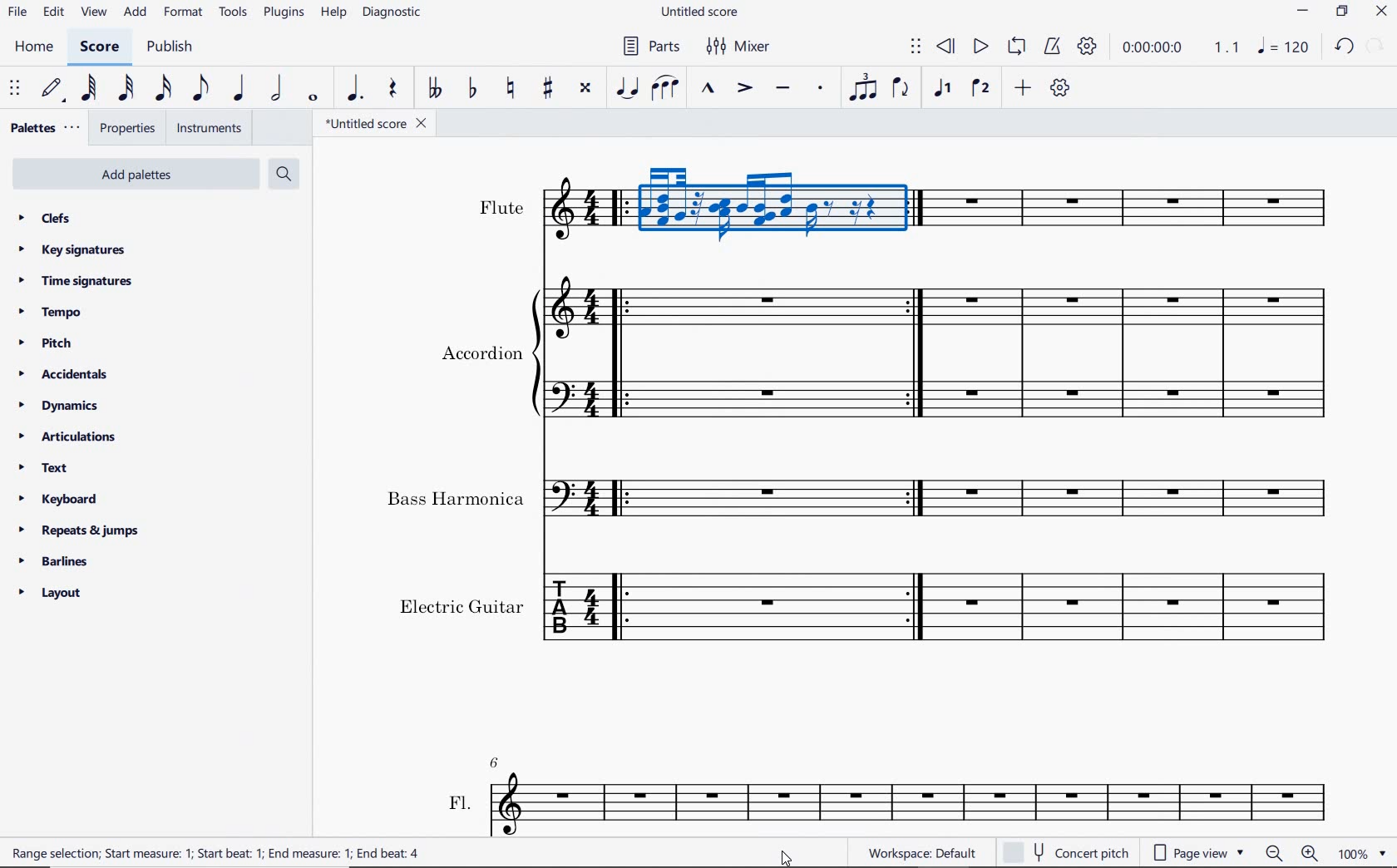 The height and width of the screenshot is (868, 1397). What do you see at coordinates (52, 560) in the screenshot?
I see `barlines` at bounding box center [52, 560].